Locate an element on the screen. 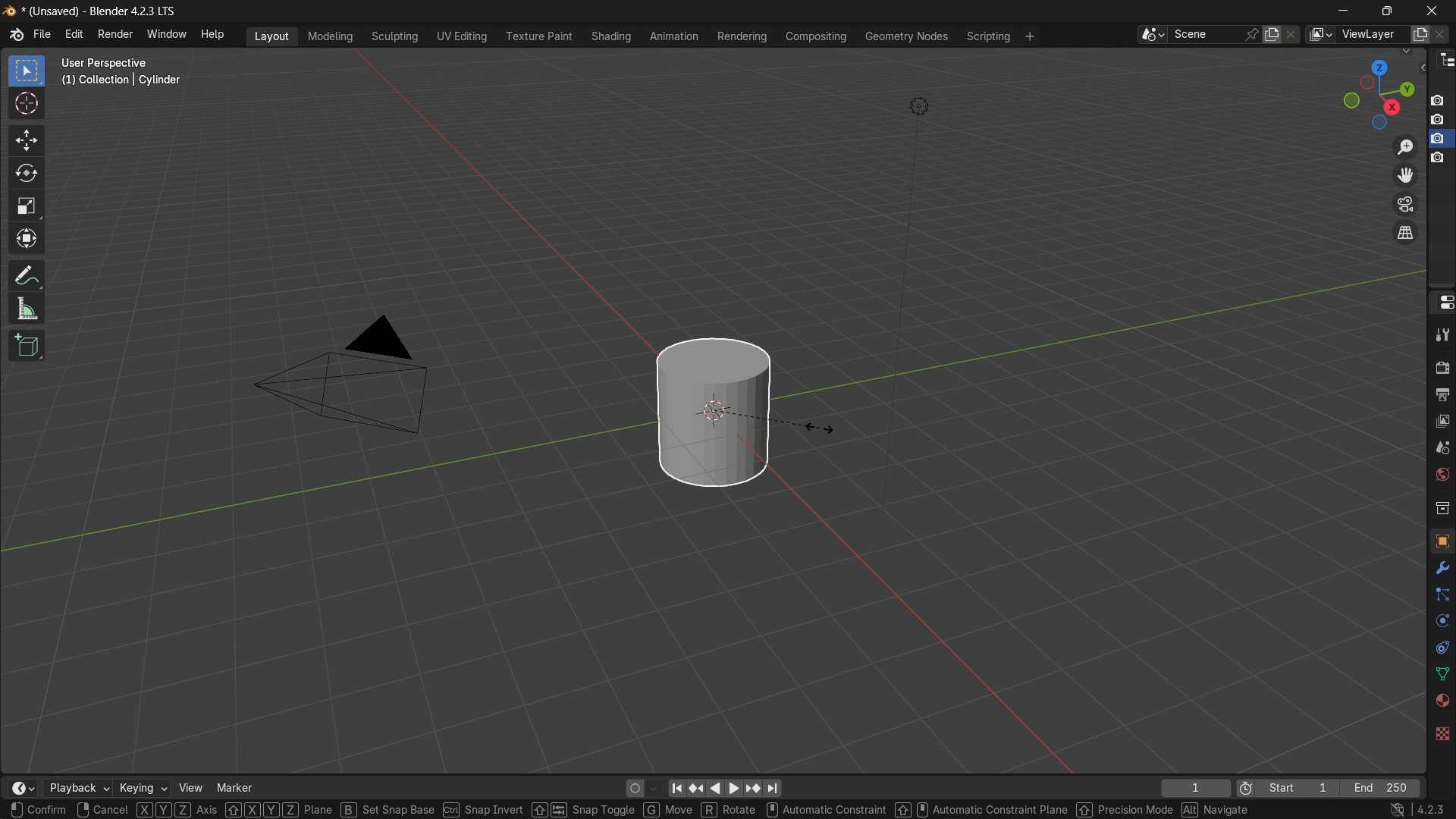 This screenshot has width=1456, height=819. browse scenes is located at coordinates (1150, 35).